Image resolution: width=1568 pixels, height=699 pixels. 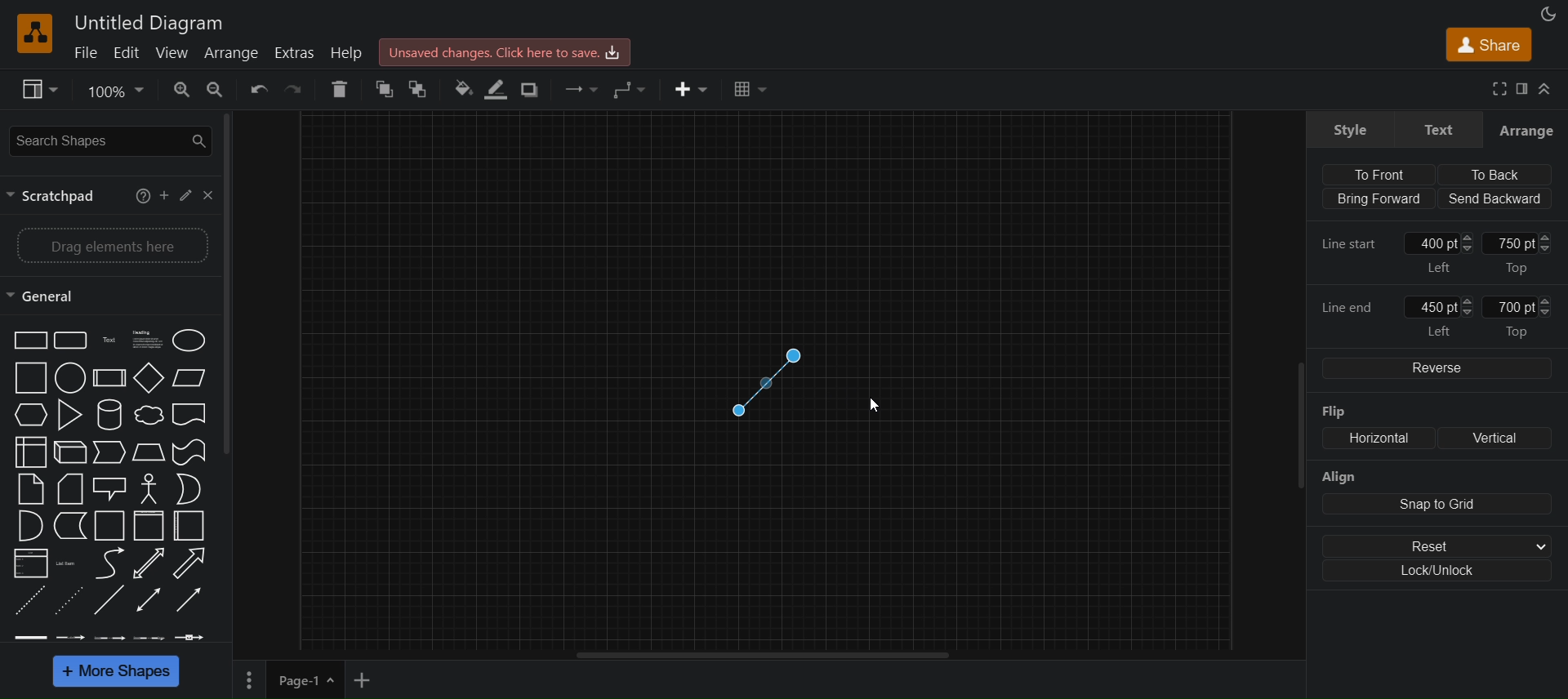 What do you see at coordinates (163, 194) in the screenshot?
I see `add` at bounding box center [163, 194].